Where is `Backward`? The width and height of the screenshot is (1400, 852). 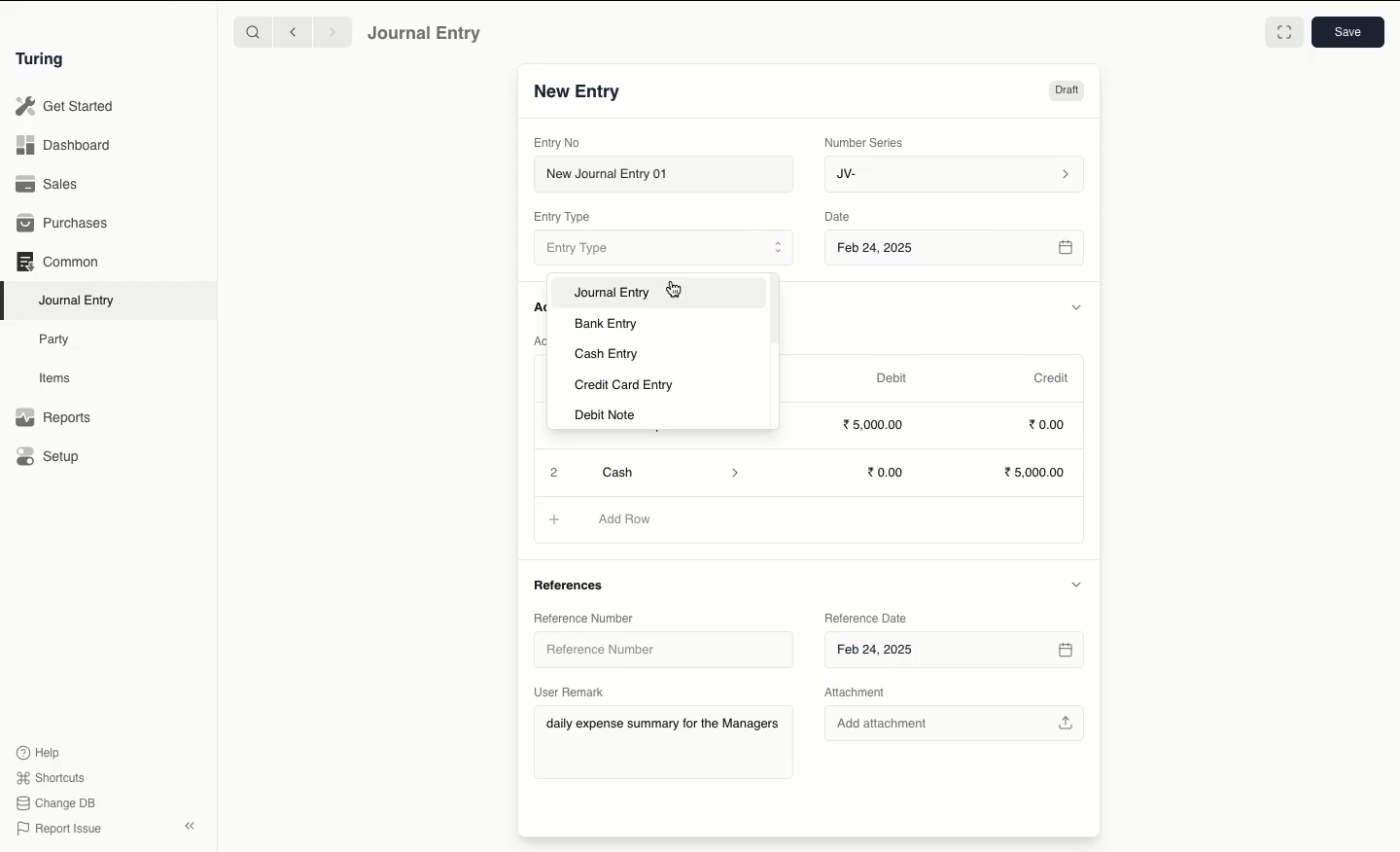 Backward is located at coordinates (293, 31).